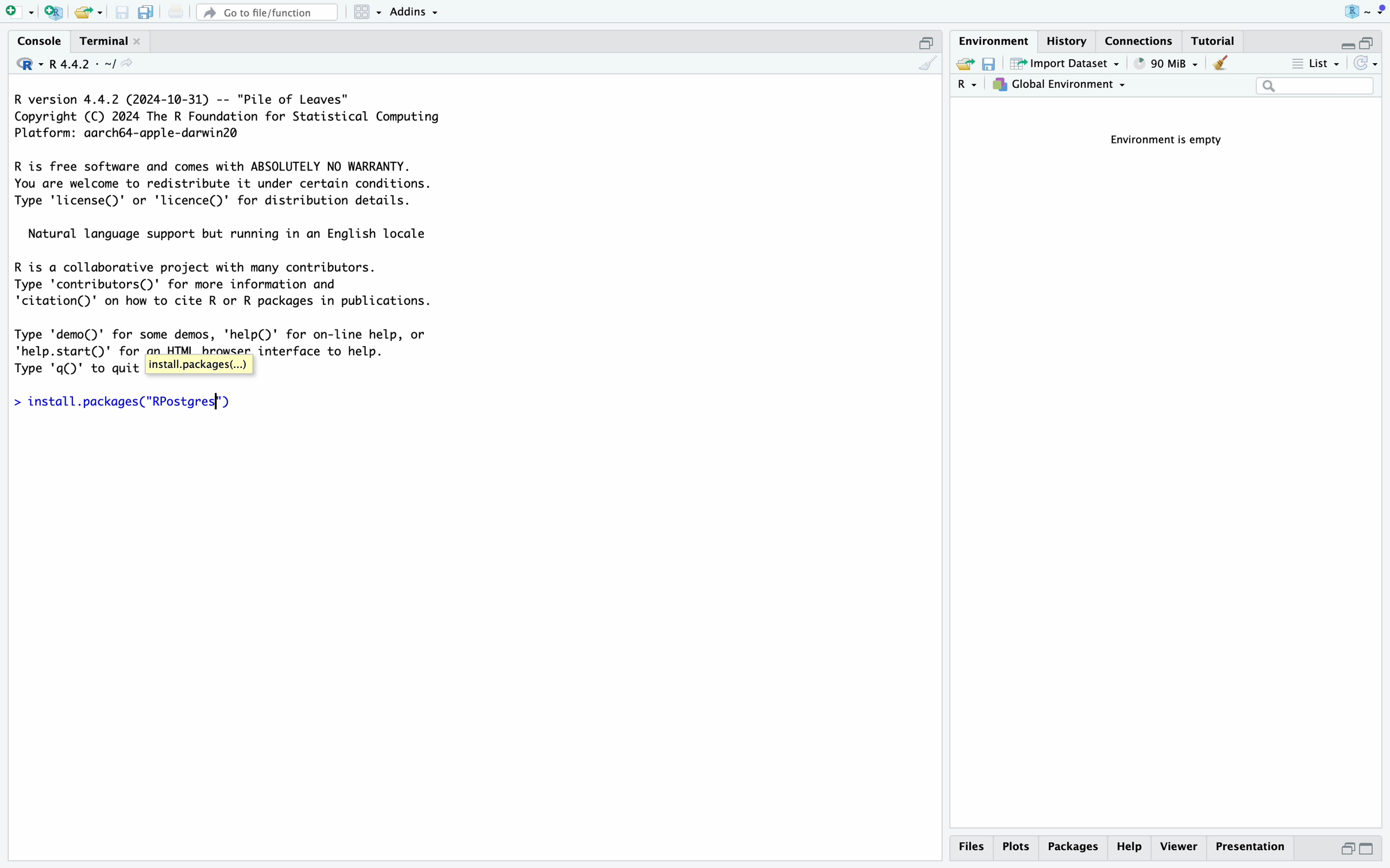 The image size is (1390, 868). Describe the element at coordinates (1315, 87) in the screenshot. I see `search field` at that location.